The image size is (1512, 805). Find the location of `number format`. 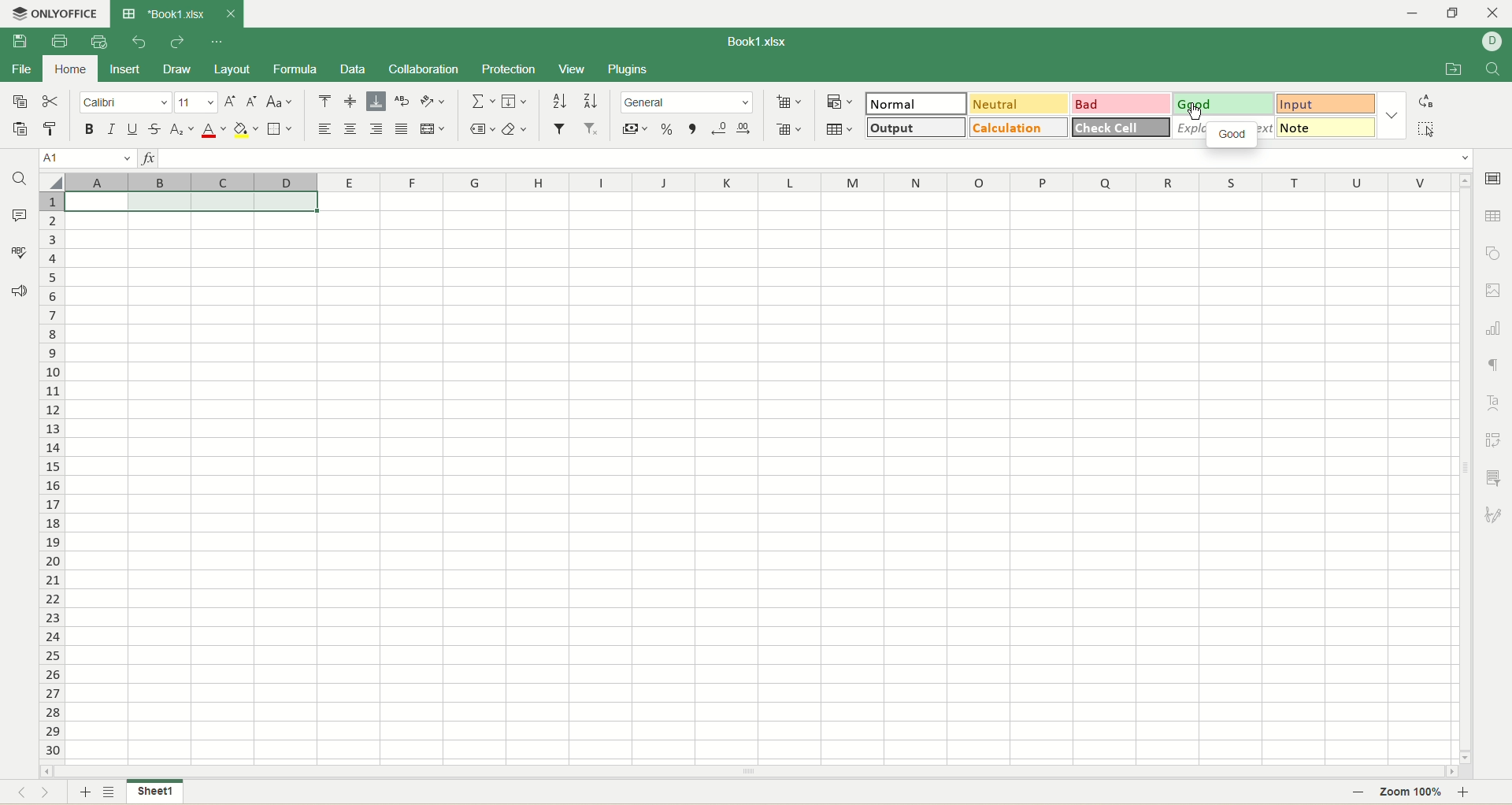

number format is located at coordinates (687, 102).